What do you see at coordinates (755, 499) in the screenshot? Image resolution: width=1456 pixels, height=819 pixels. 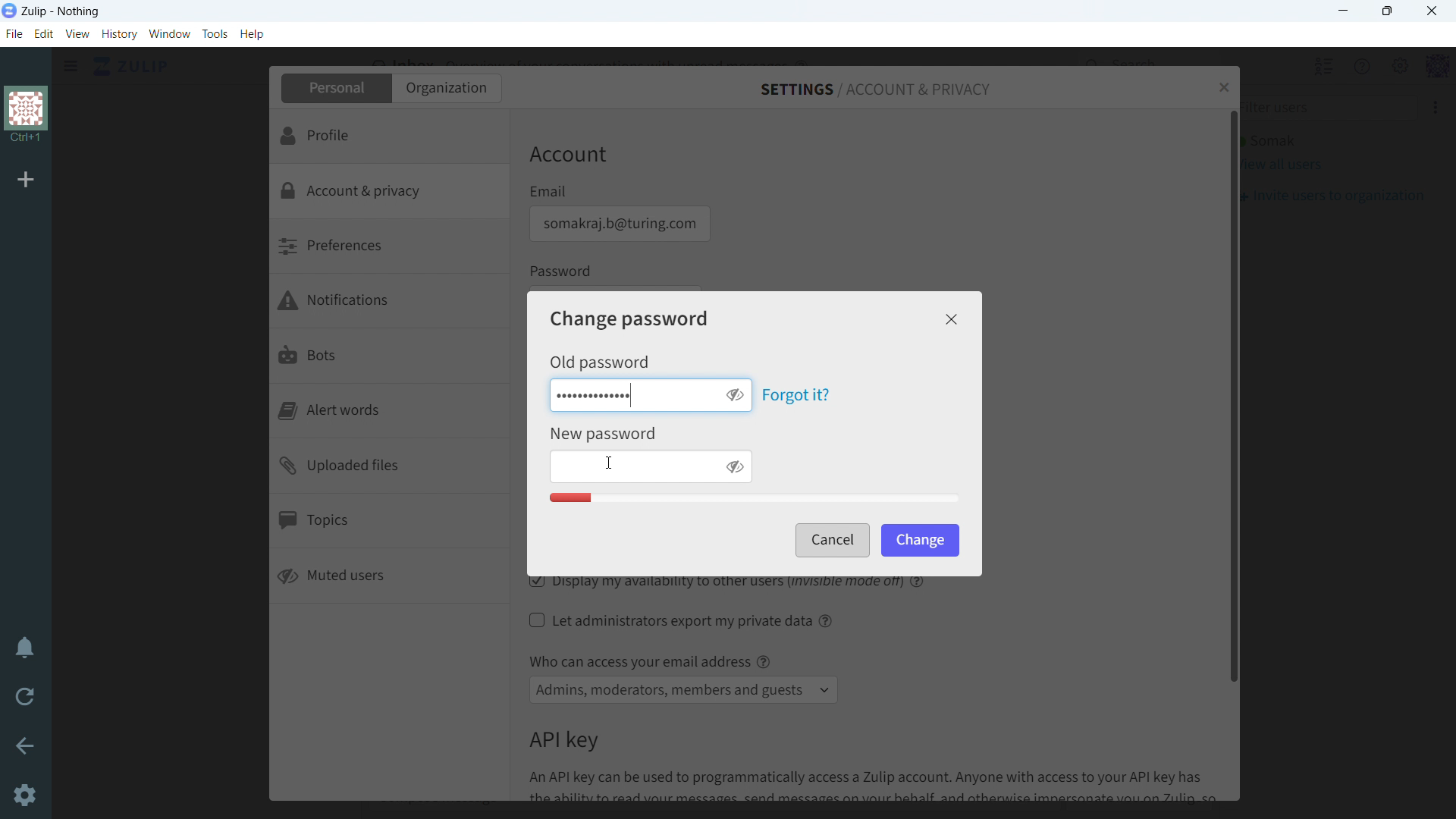 I see `Password quaity` at bounding box center [755, 499].